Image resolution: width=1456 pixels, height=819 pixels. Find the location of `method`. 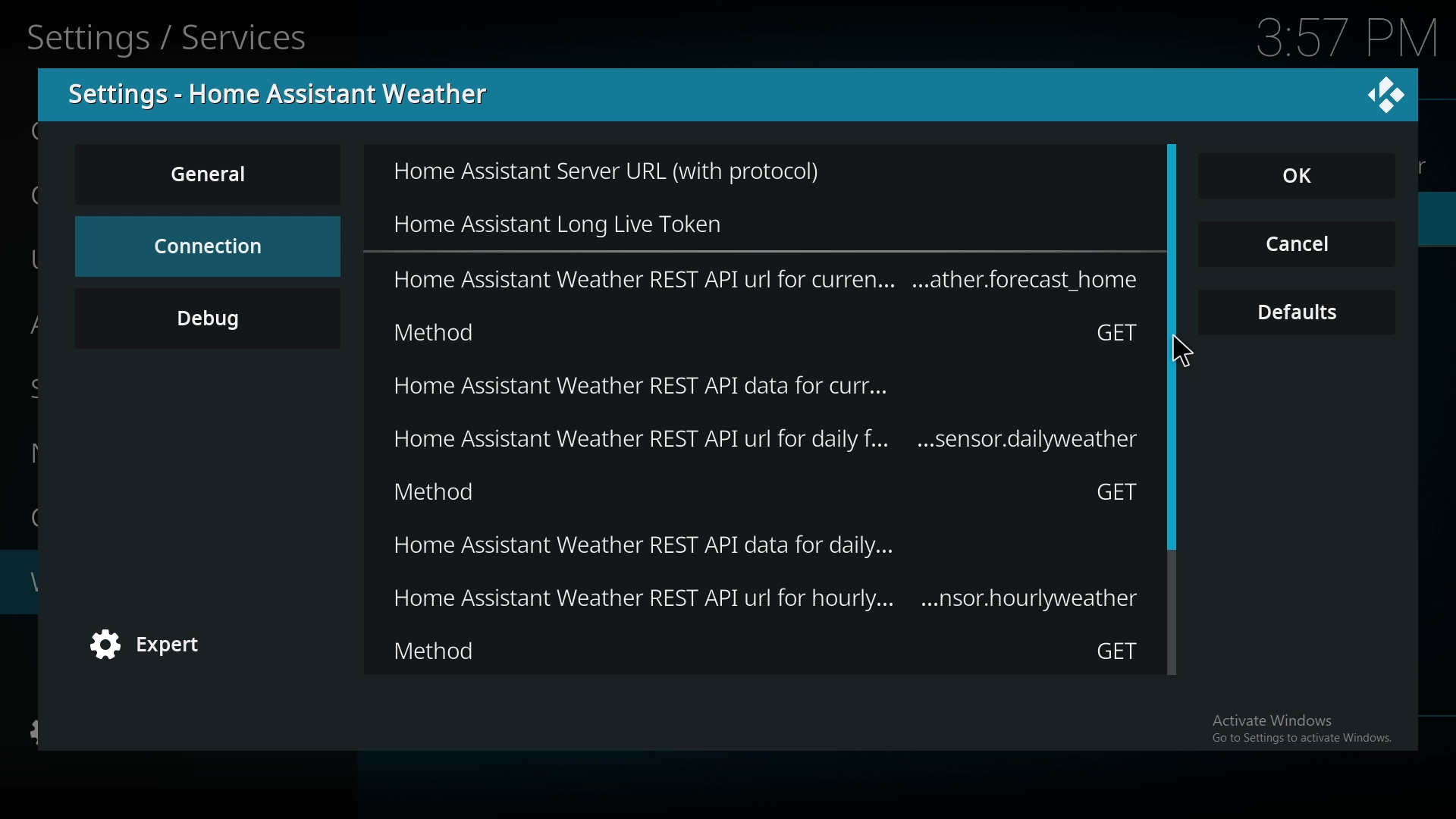

method is located at coordinates (767, 651).